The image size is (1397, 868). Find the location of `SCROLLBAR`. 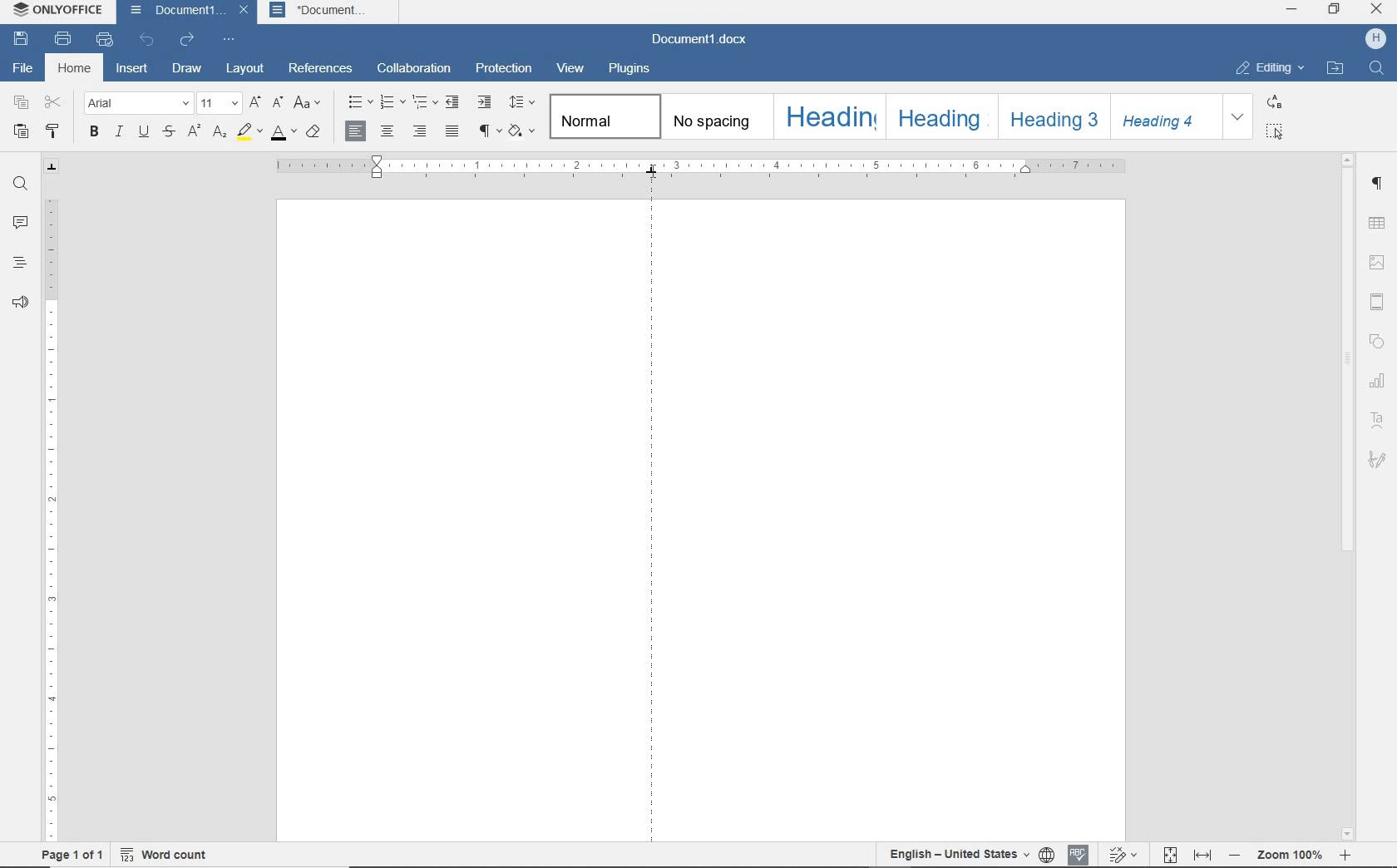

SCROLLBAR is located at coordinates (1348, 499).